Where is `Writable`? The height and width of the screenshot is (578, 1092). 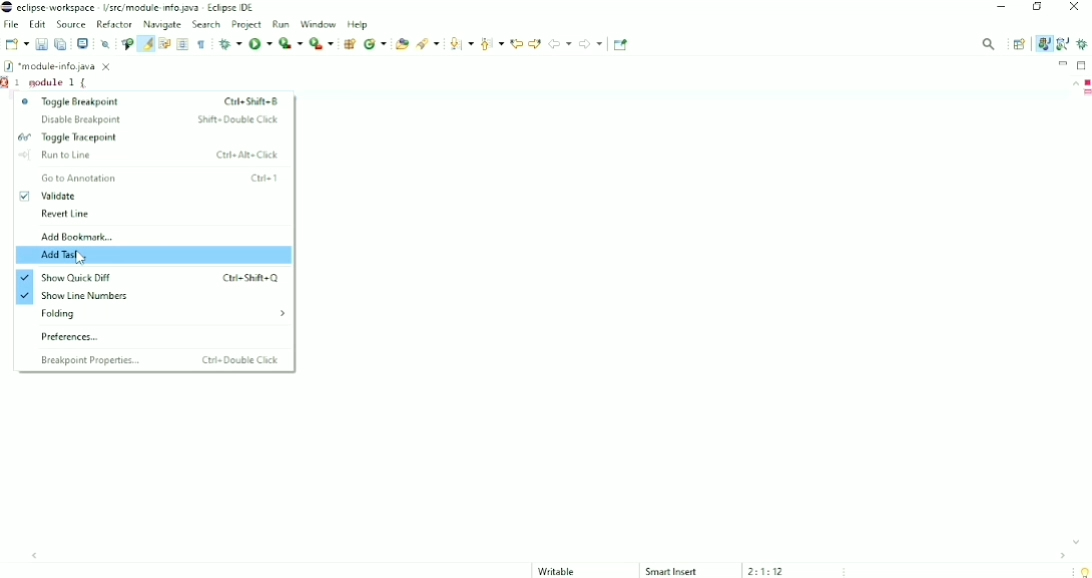 Writable is located at coordinates (565, 571).